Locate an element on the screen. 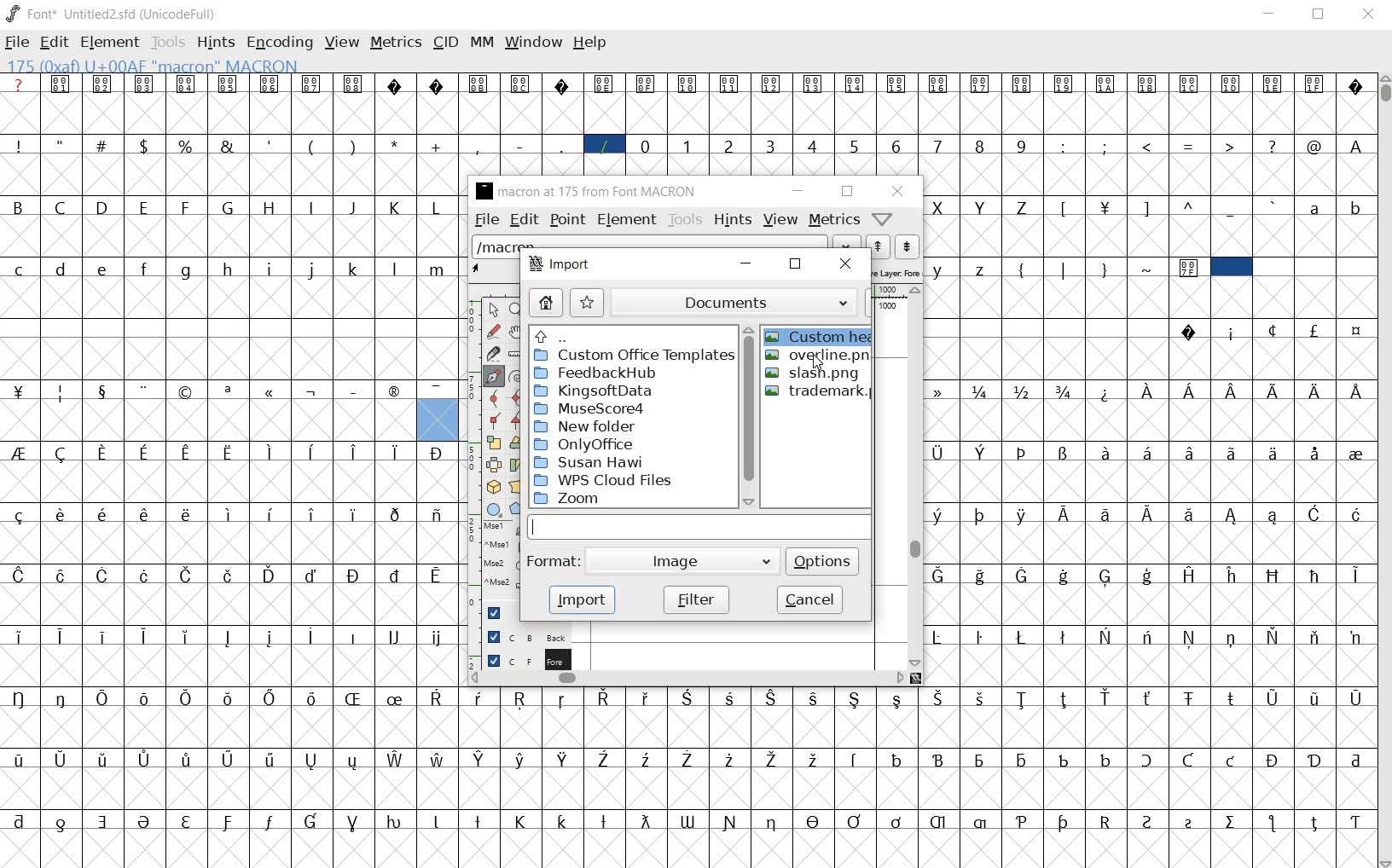 This screenshot has height=868, width=1392. i is located at coordinates (270, 268).